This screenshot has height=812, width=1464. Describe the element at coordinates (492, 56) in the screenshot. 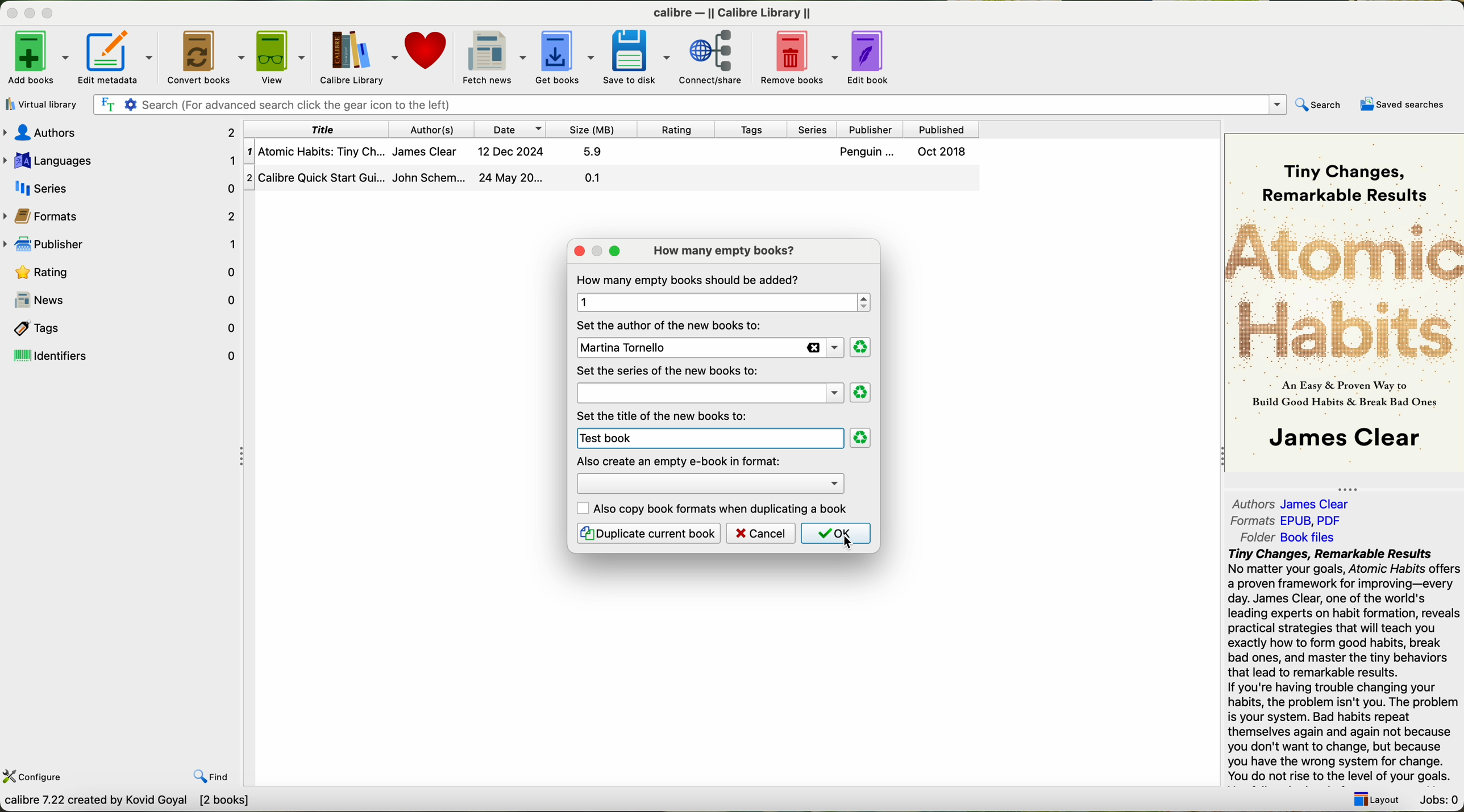

I see `fetch news` at that location.